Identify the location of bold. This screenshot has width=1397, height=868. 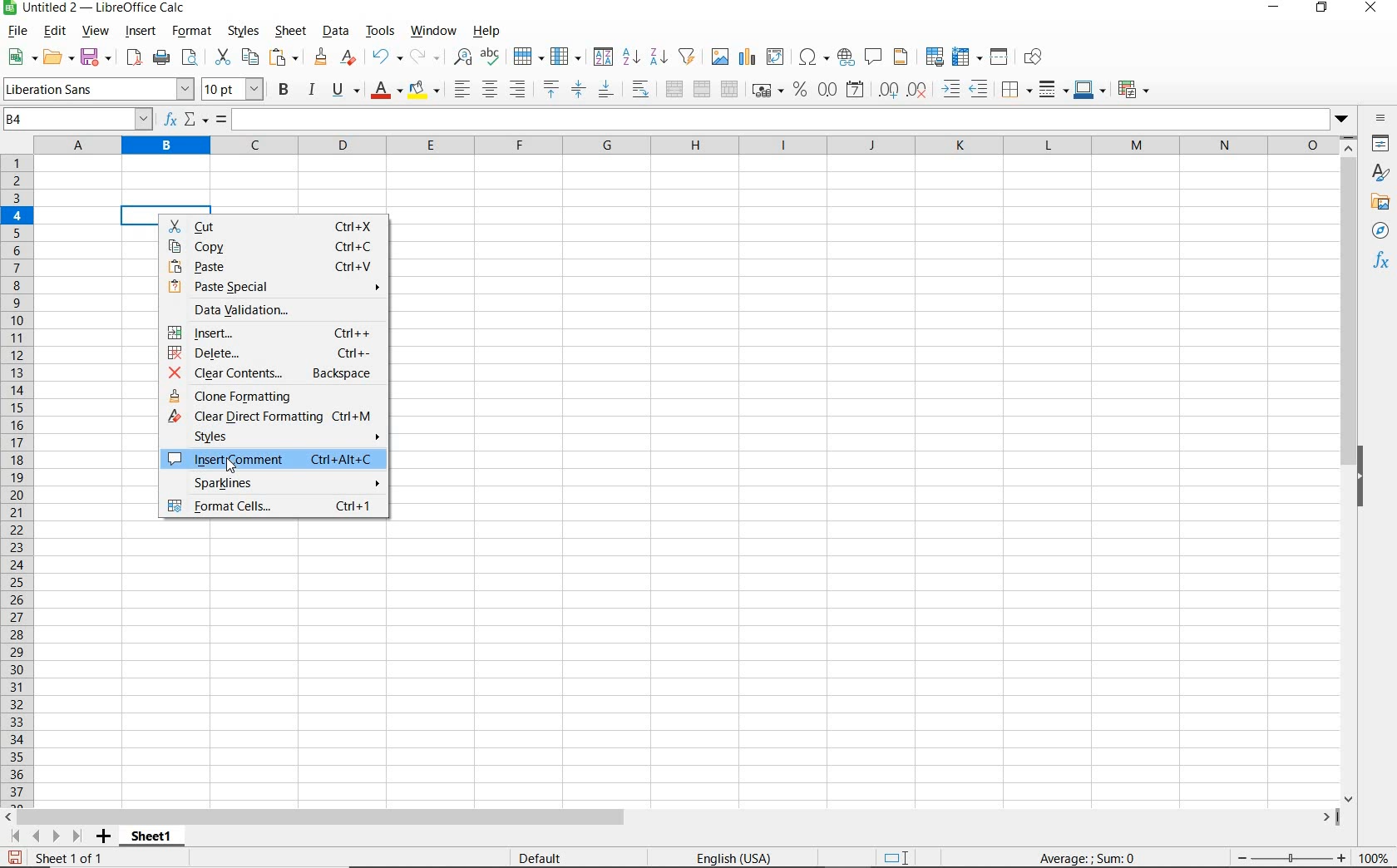
(284, 91).